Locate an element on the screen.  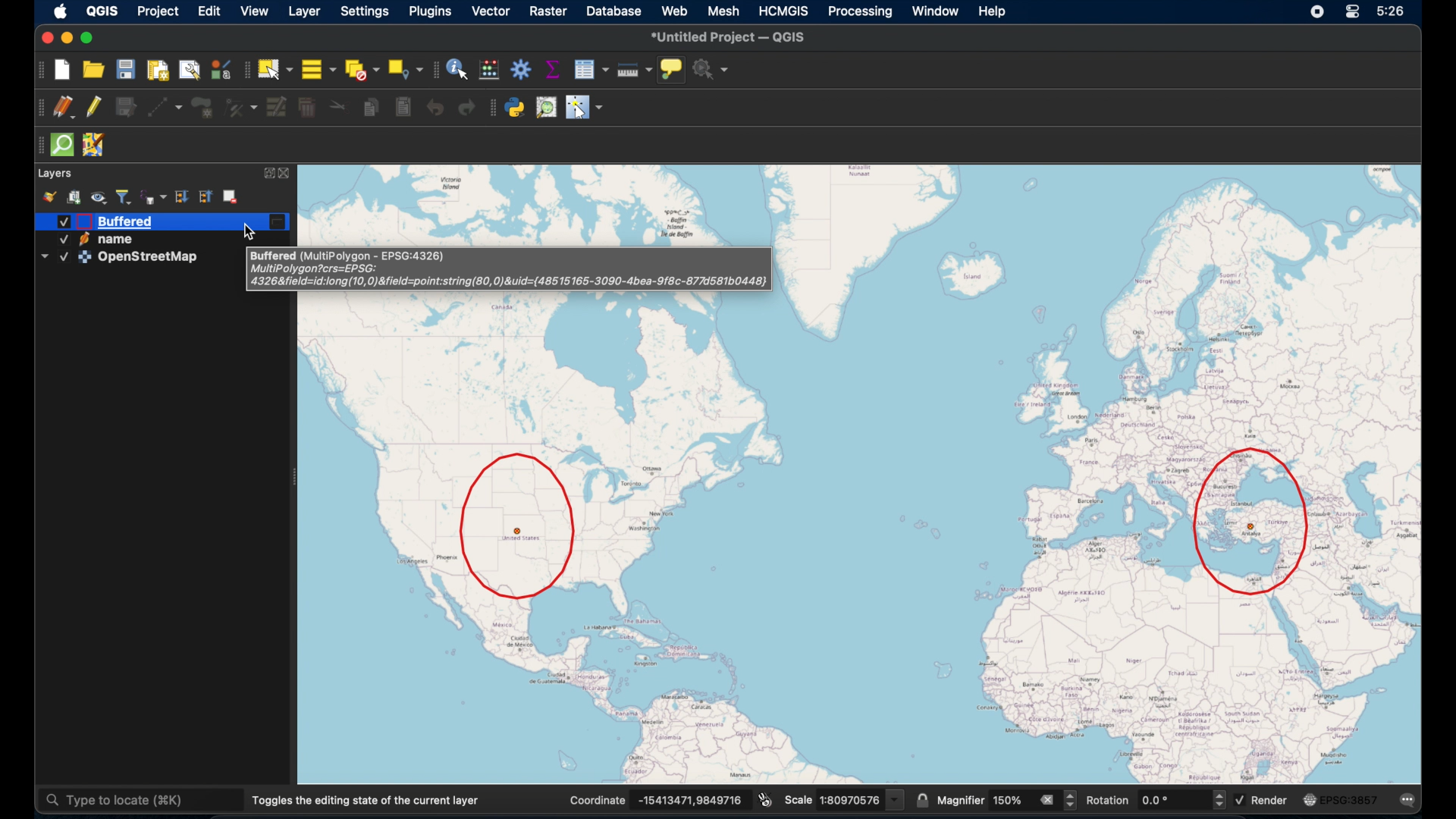
attributes toolbar is located at coordinates (434, 70).